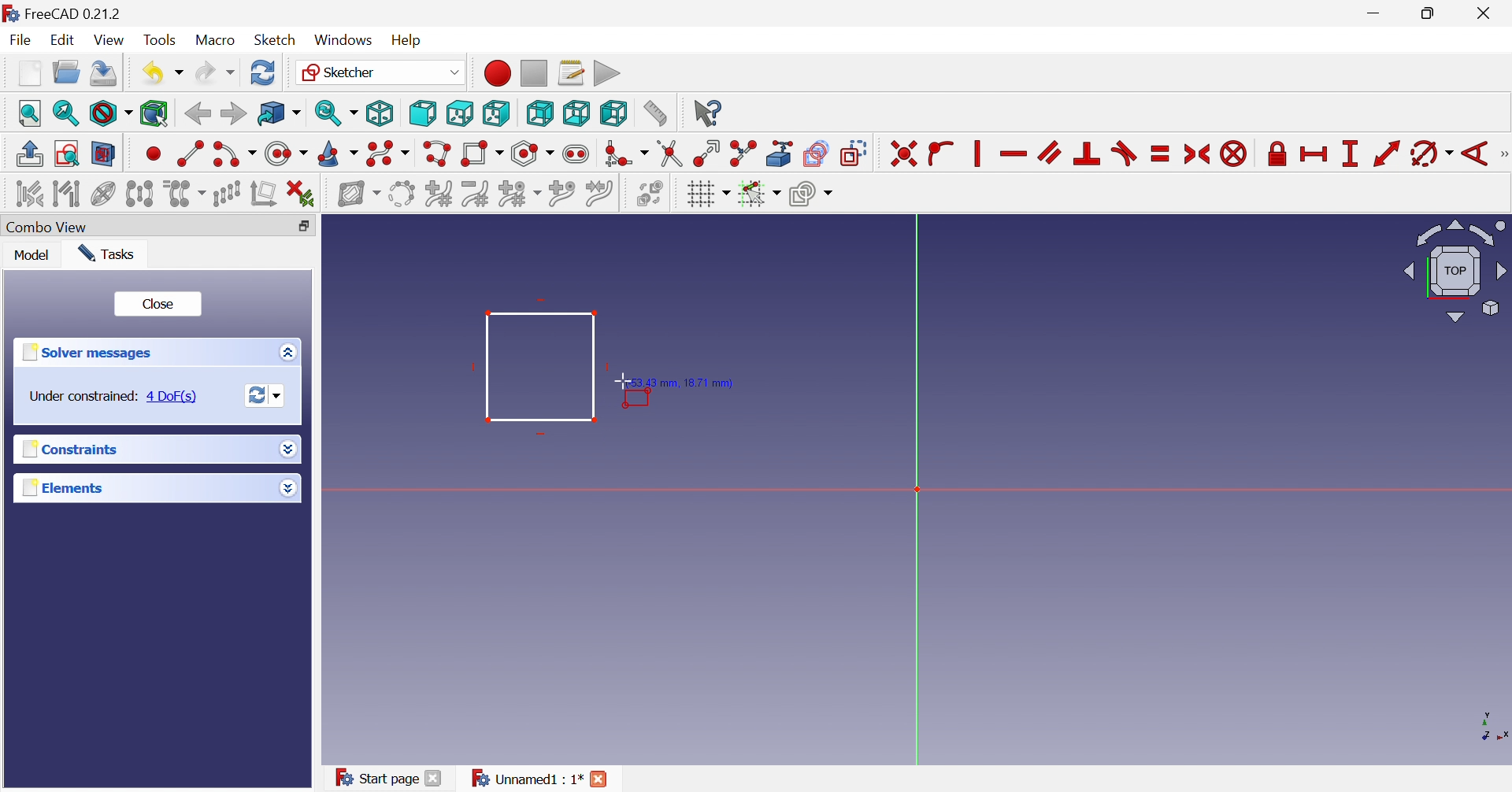 This screenshot has height=792, width=1512. What do you see at coordinates (287, 447) in the screenshot?
I see `Drop down` at bounding box center [287, 447].